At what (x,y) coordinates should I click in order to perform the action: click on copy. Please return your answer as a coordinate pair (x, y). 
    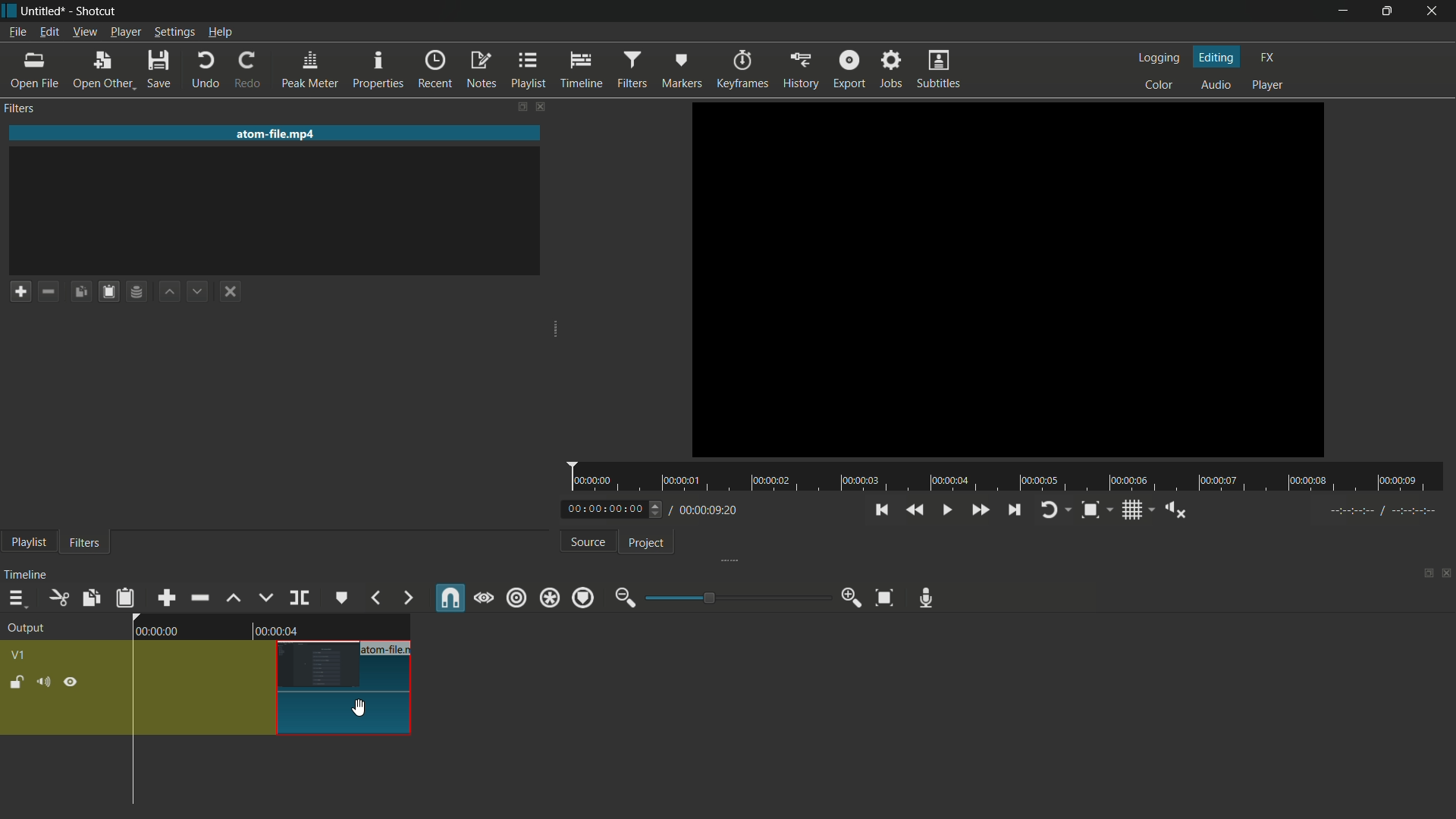
    Looking at the image, I should click on (90, 598).